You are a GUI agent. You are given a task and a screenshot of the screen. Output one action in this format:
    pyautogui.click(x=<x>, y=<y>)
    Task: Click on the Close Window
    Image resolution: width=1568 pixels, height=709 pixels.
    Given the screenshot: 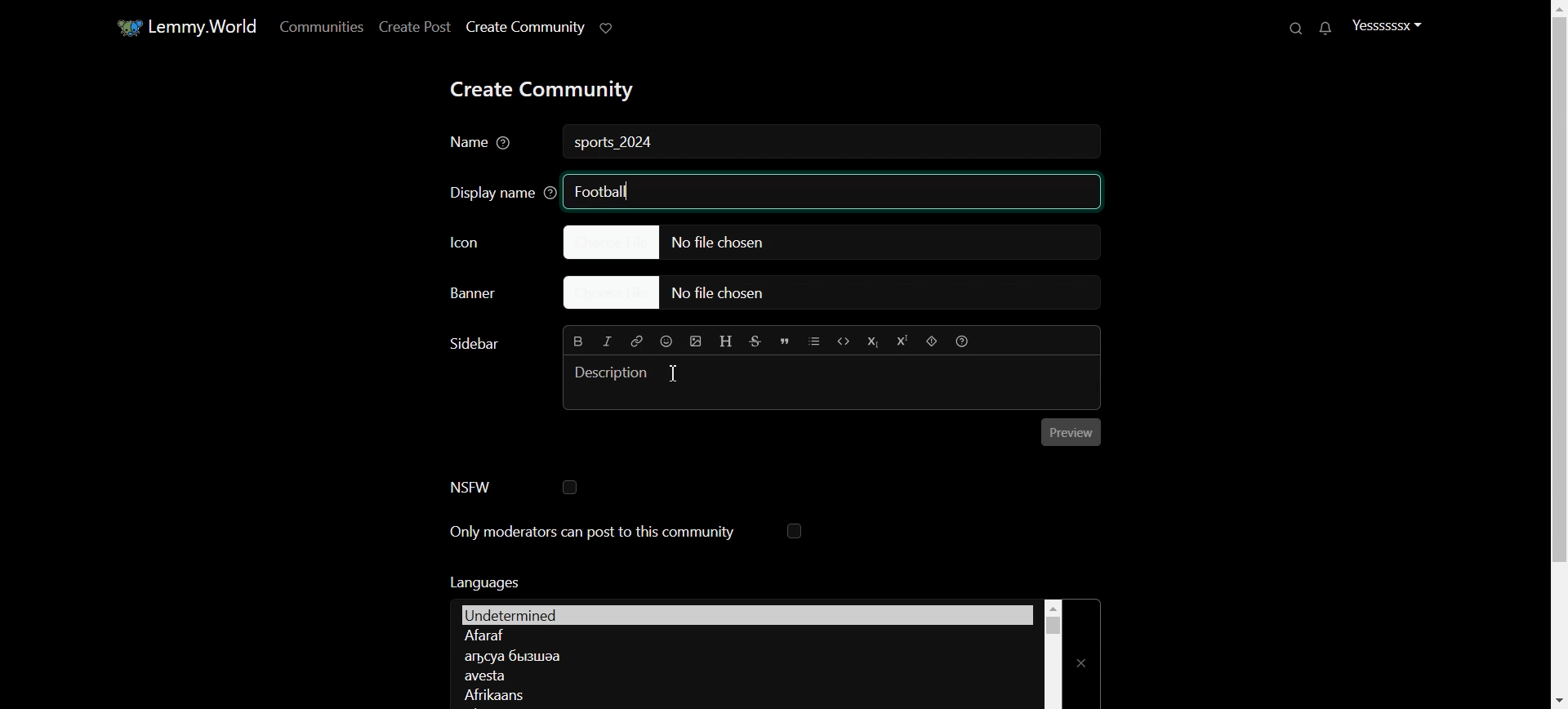 What is the action you would take?
    pyautogui.click(x=1083, y=653)
    